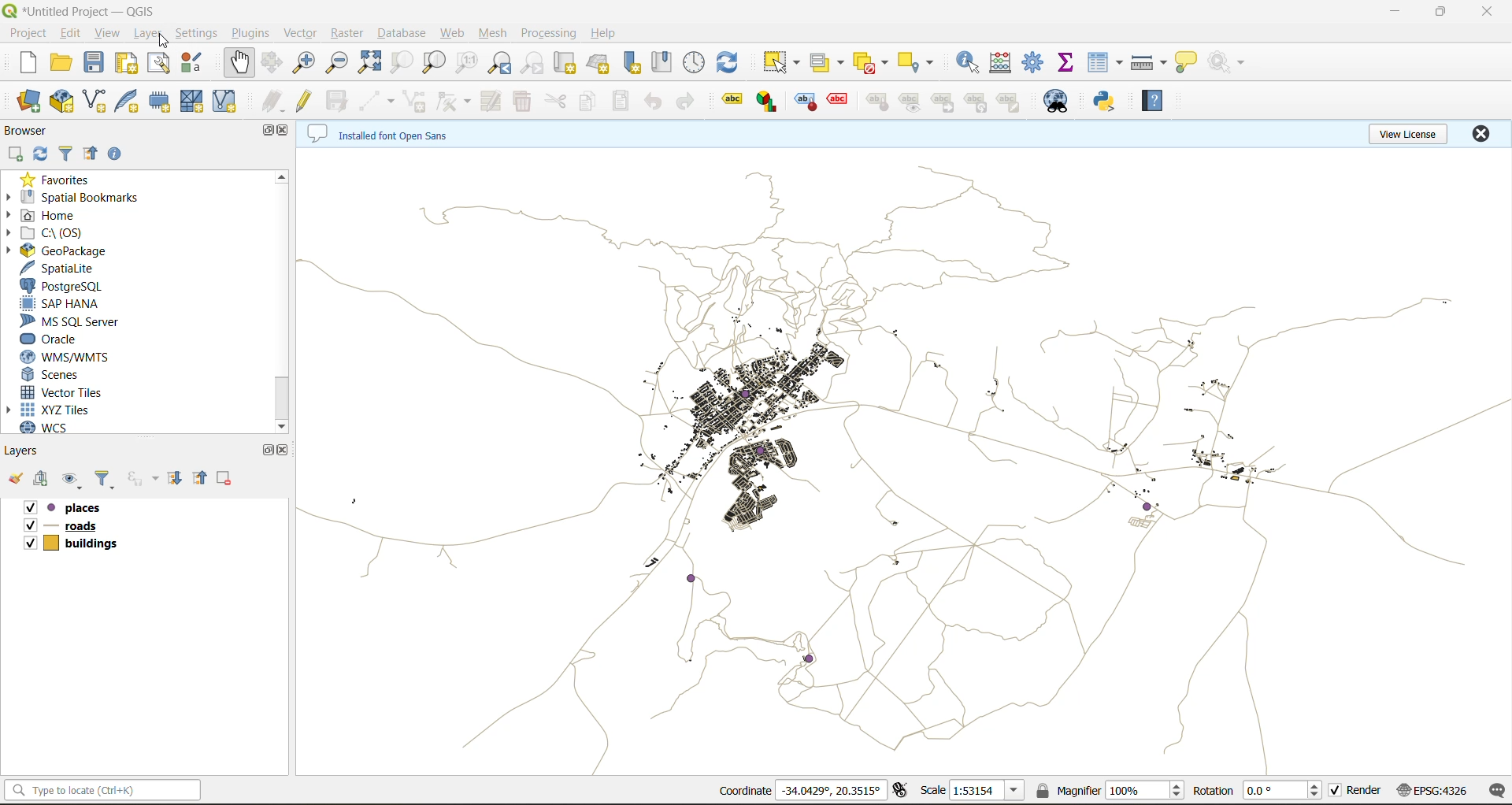  Describe the element at coordinates (1104, 102) in the screenshot. I see `python` at that location.